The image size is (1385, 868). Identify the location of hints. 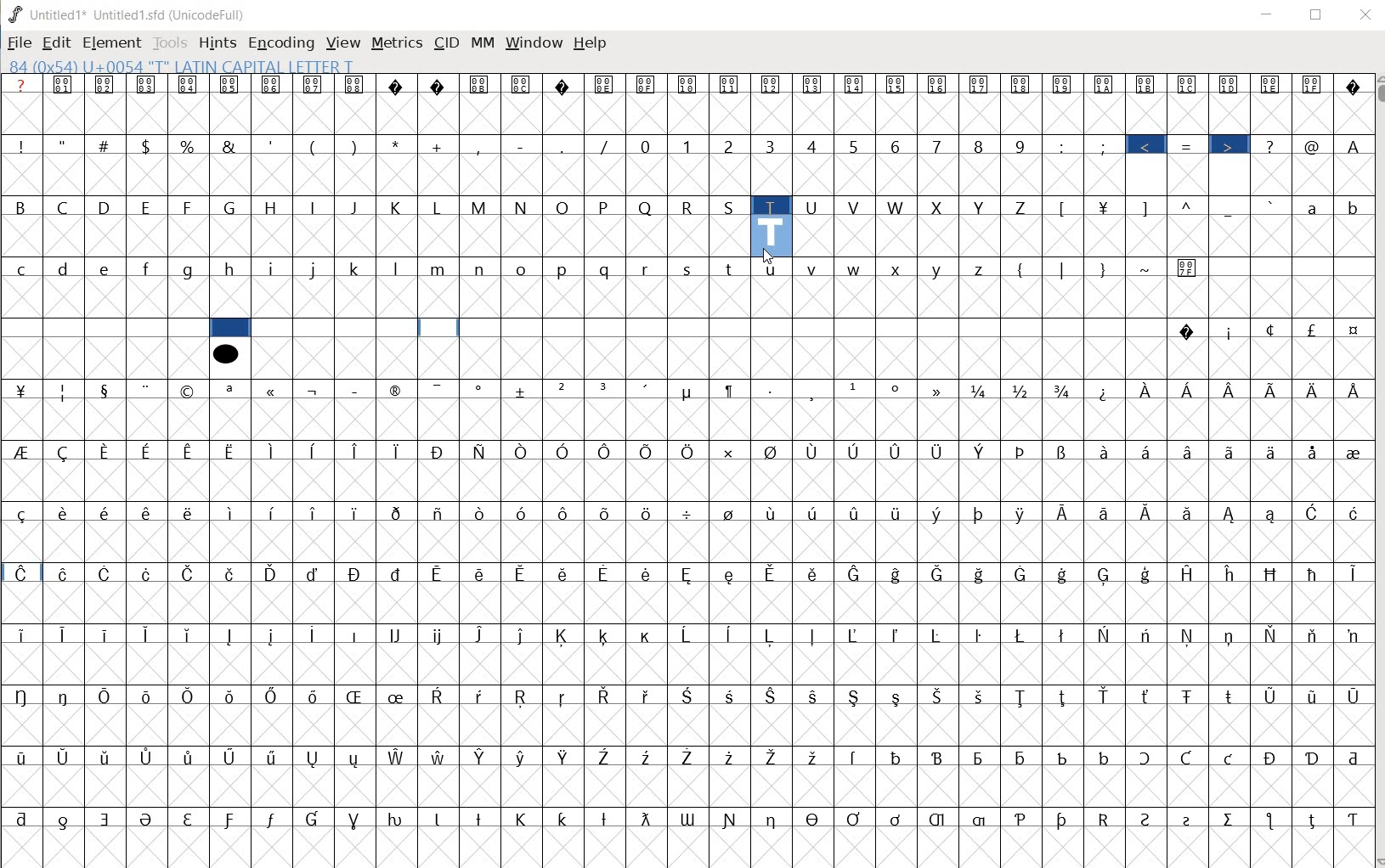
(218, 42).